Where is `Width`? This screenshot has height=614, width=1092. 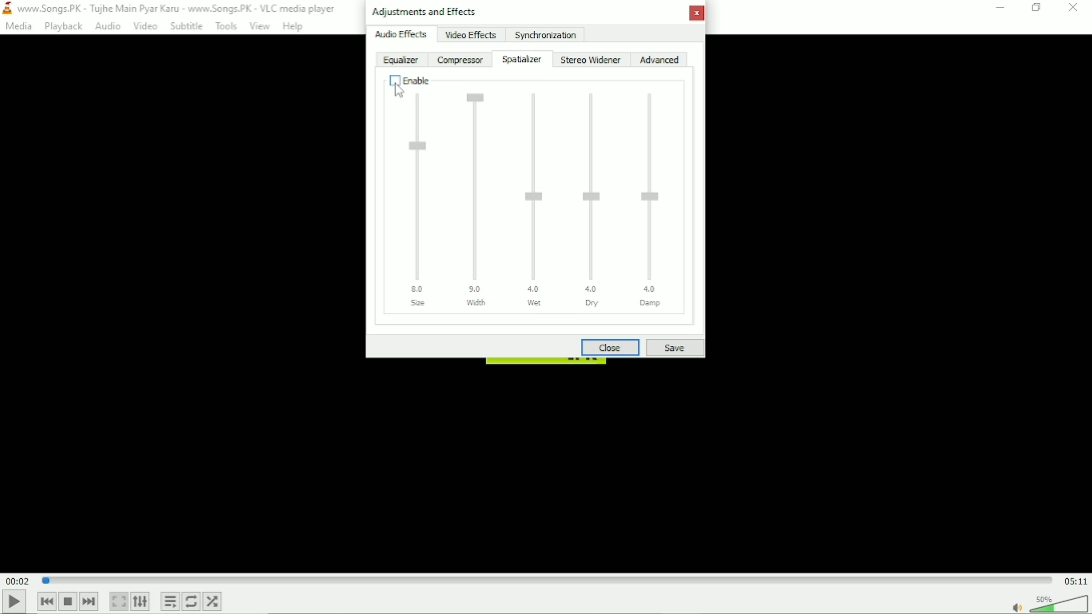 Width is located at coordinates (478, 198).